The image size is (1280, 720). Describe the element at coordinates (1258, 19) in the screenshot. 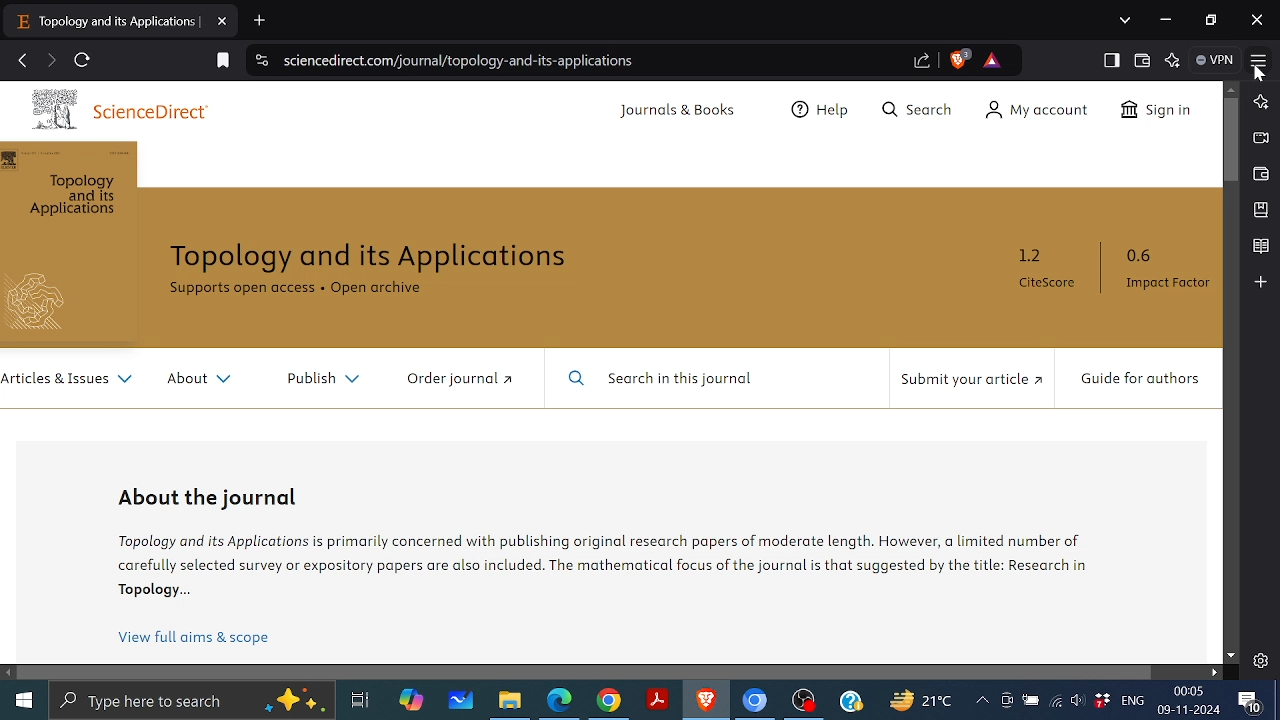

I see `Close window` at that location.